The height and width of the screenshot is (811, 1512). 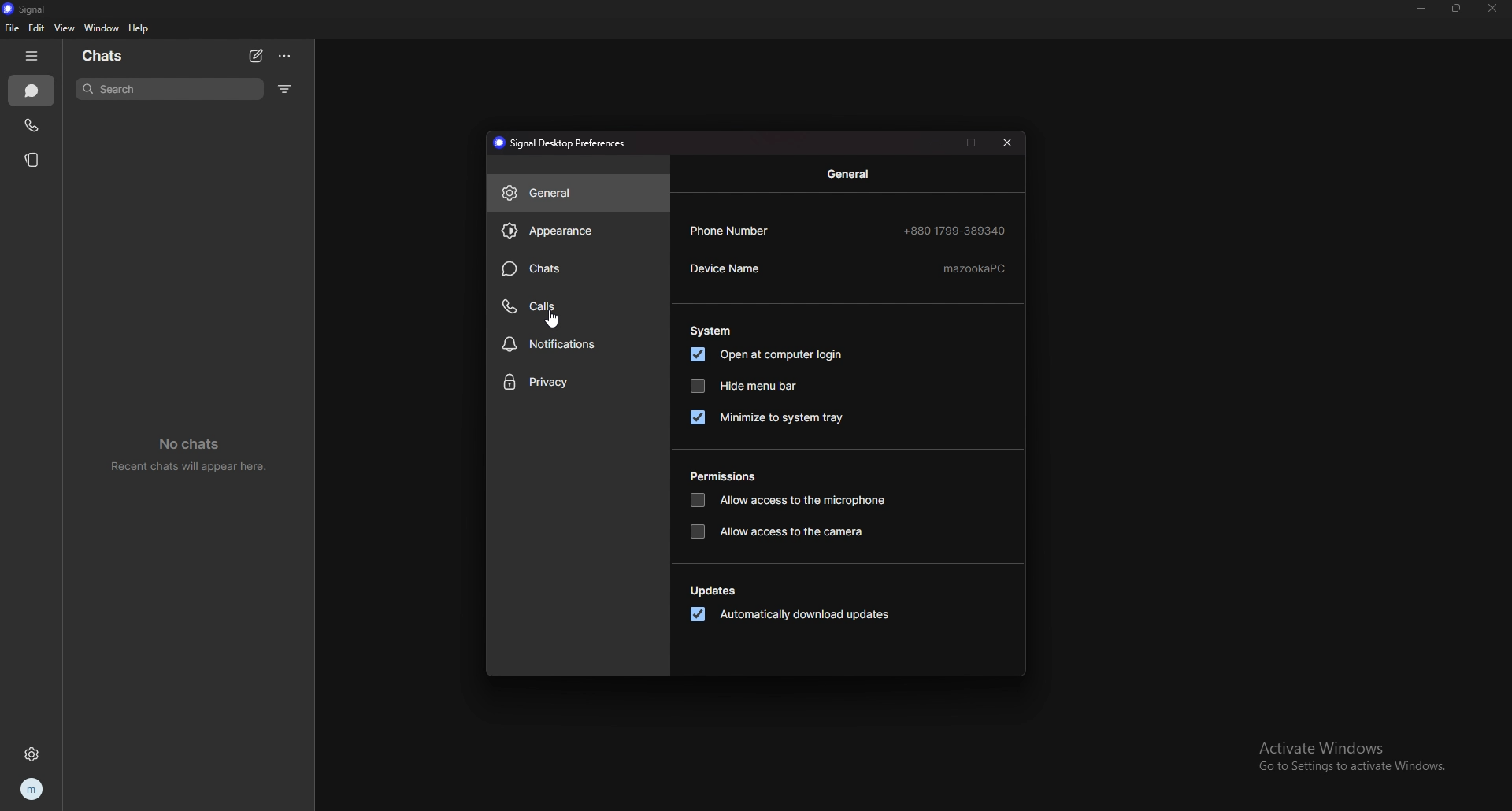 I want to click on priavcy, so click(x=579, y=383).